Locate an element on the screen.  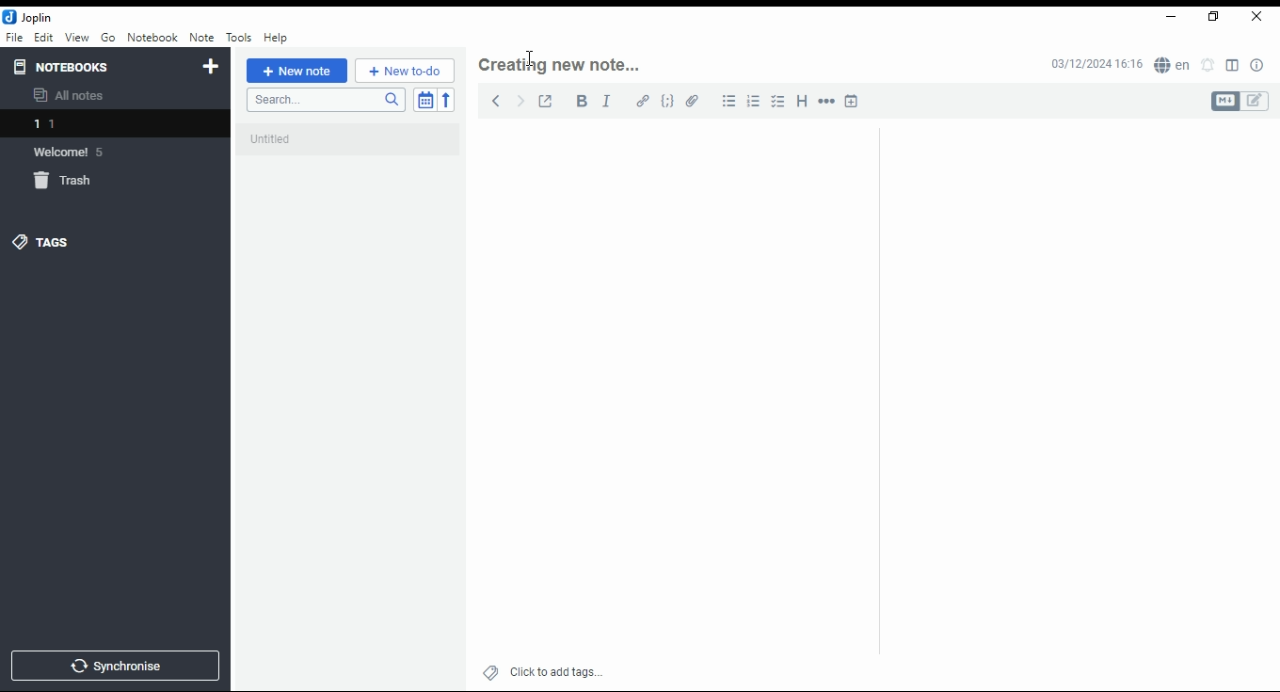
help is located at coordinates (275, 38).